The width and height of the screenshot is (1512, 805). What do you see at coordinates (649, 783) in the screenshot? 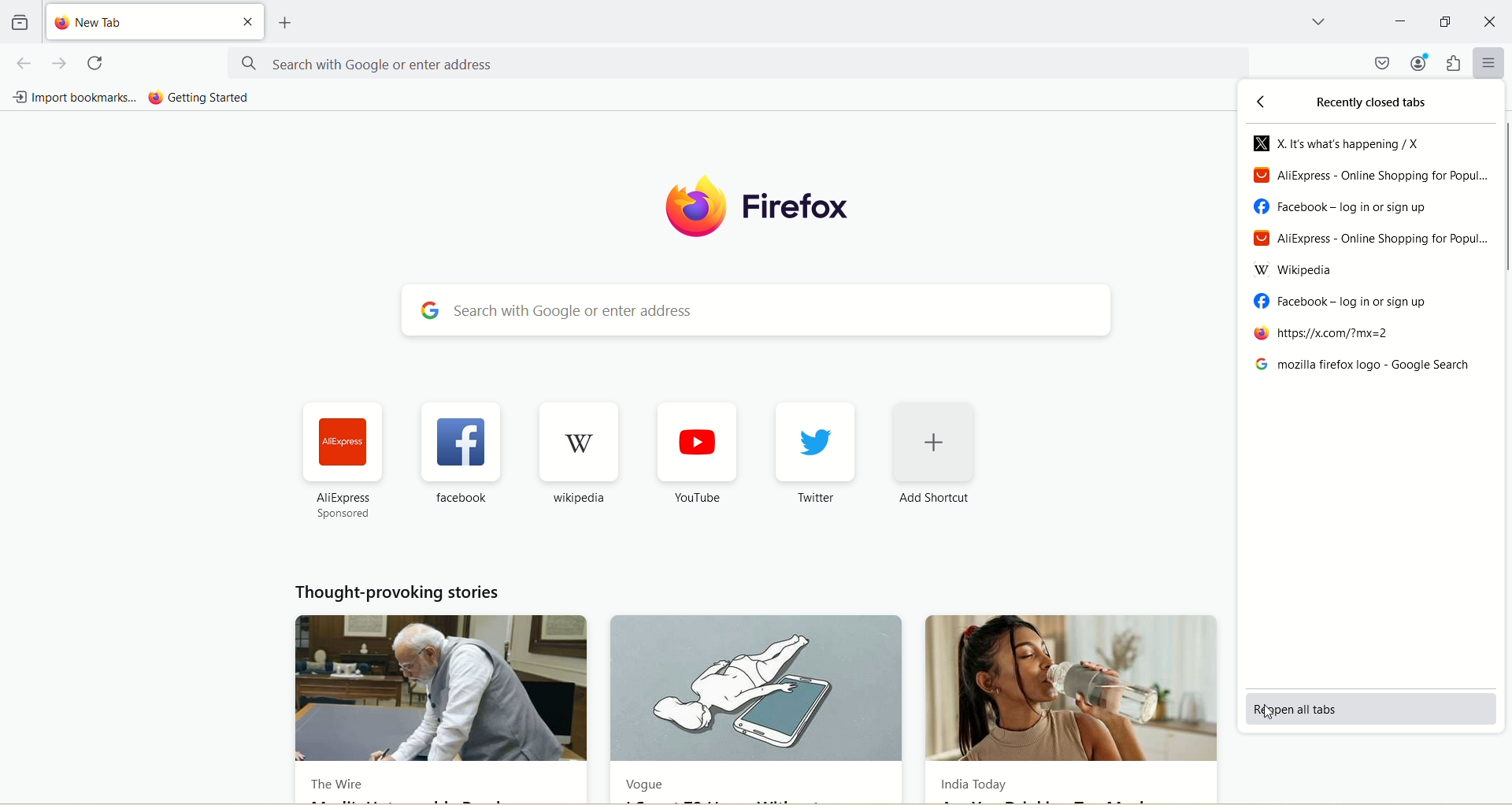
I see `Vogue` at bounding box center [649, 783].